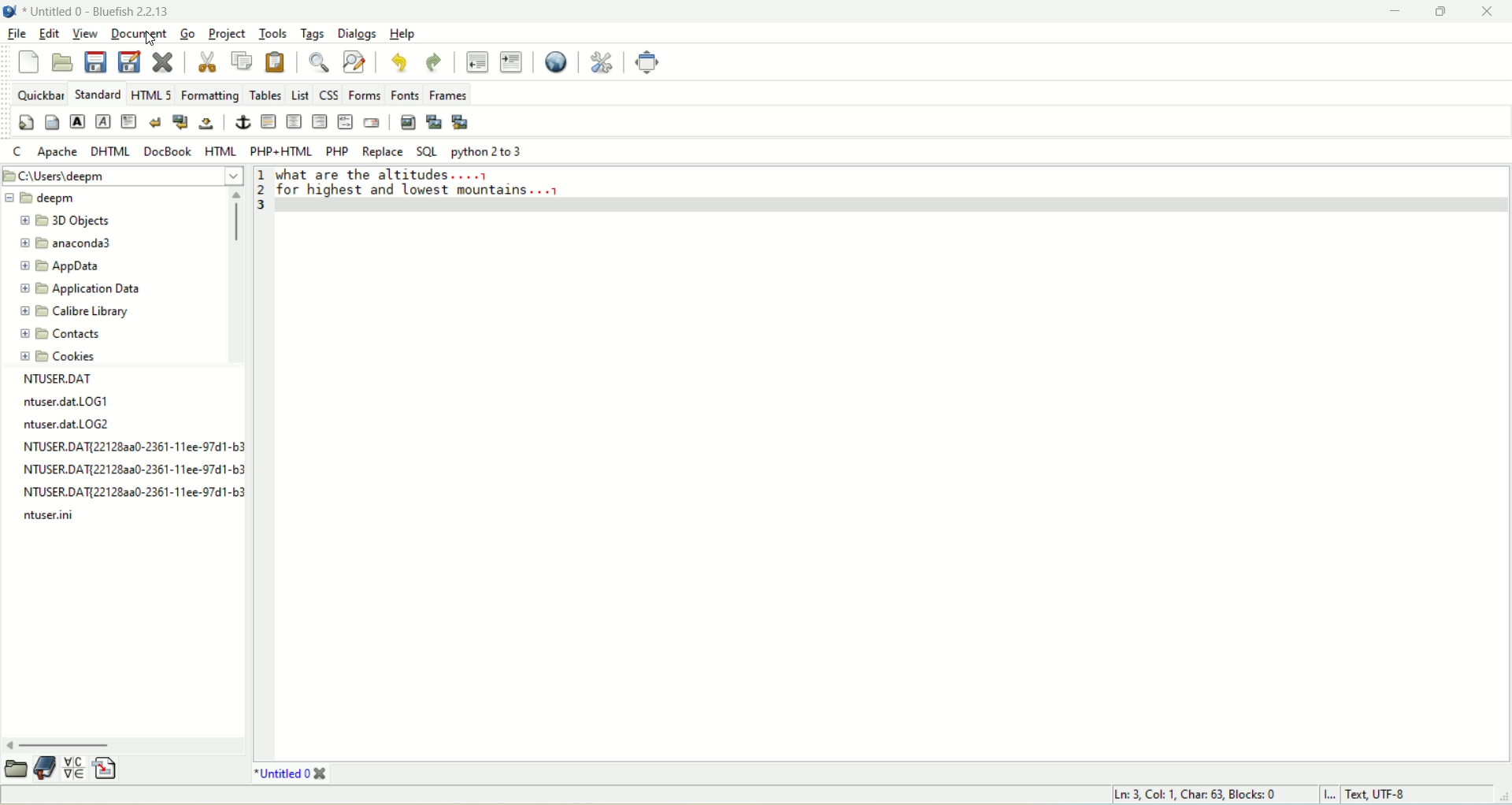 The width and height of the screenshot is (1512, 805). What do you see at coordinates (208, 93) in the screenshot?
I see `formatting` at bounding box center [208, 93].